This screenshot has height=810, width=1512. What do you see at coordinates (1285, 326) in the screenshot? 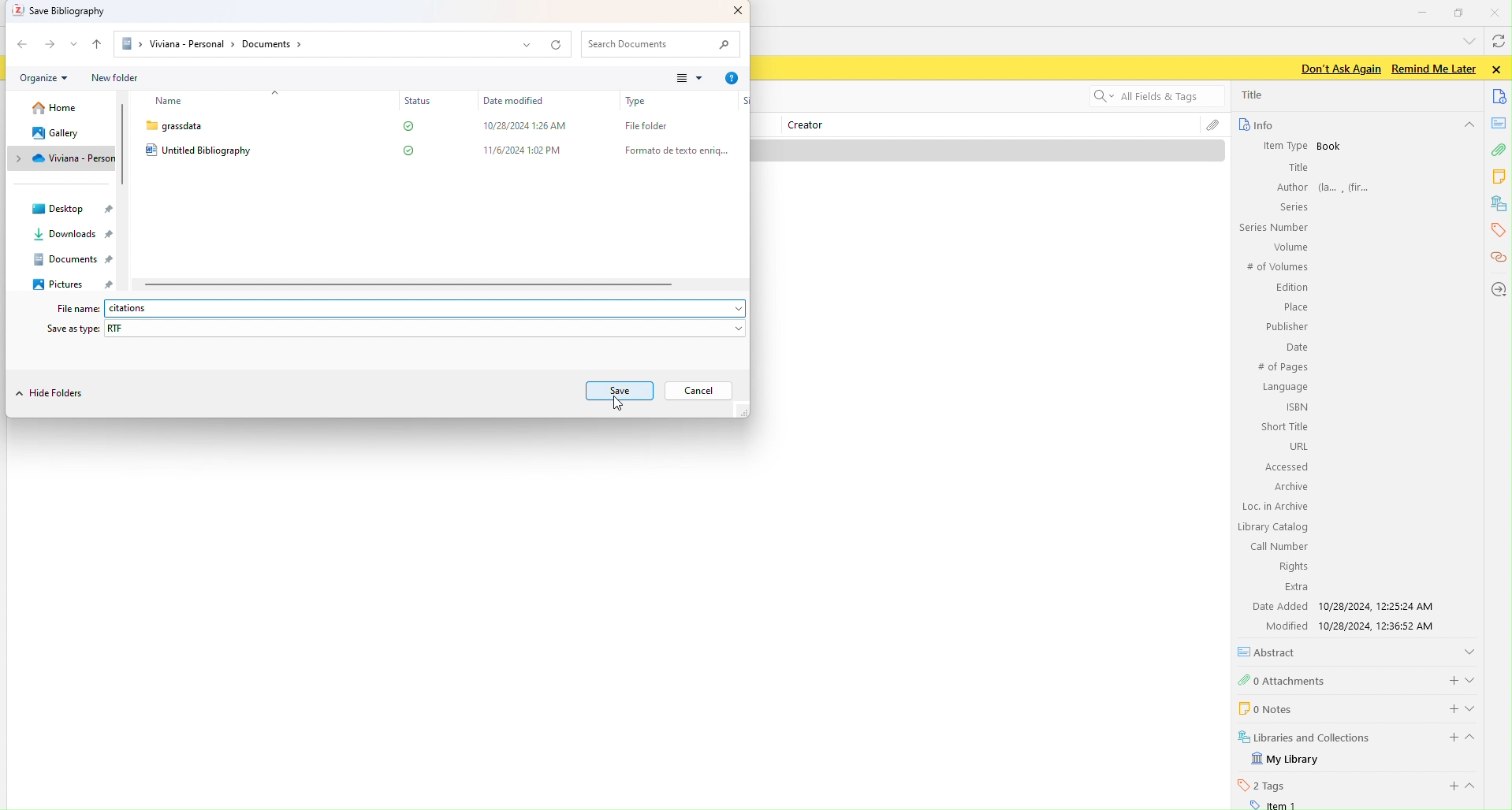
I see `Publisher` at bounding box center [1285, 326].